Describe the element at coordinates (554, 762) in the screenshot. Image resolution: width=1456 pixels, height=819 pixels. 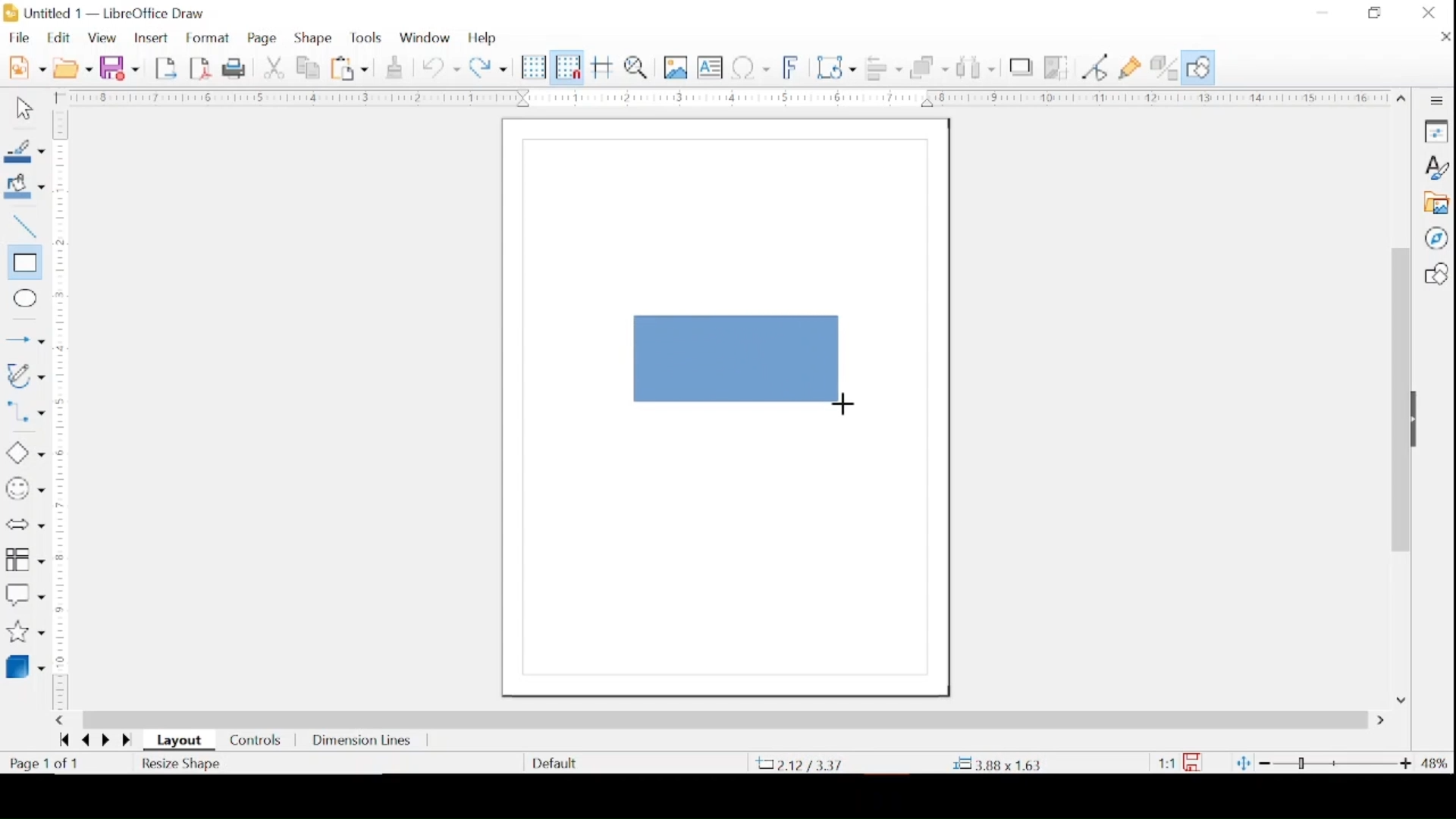
I see `default` at that location.